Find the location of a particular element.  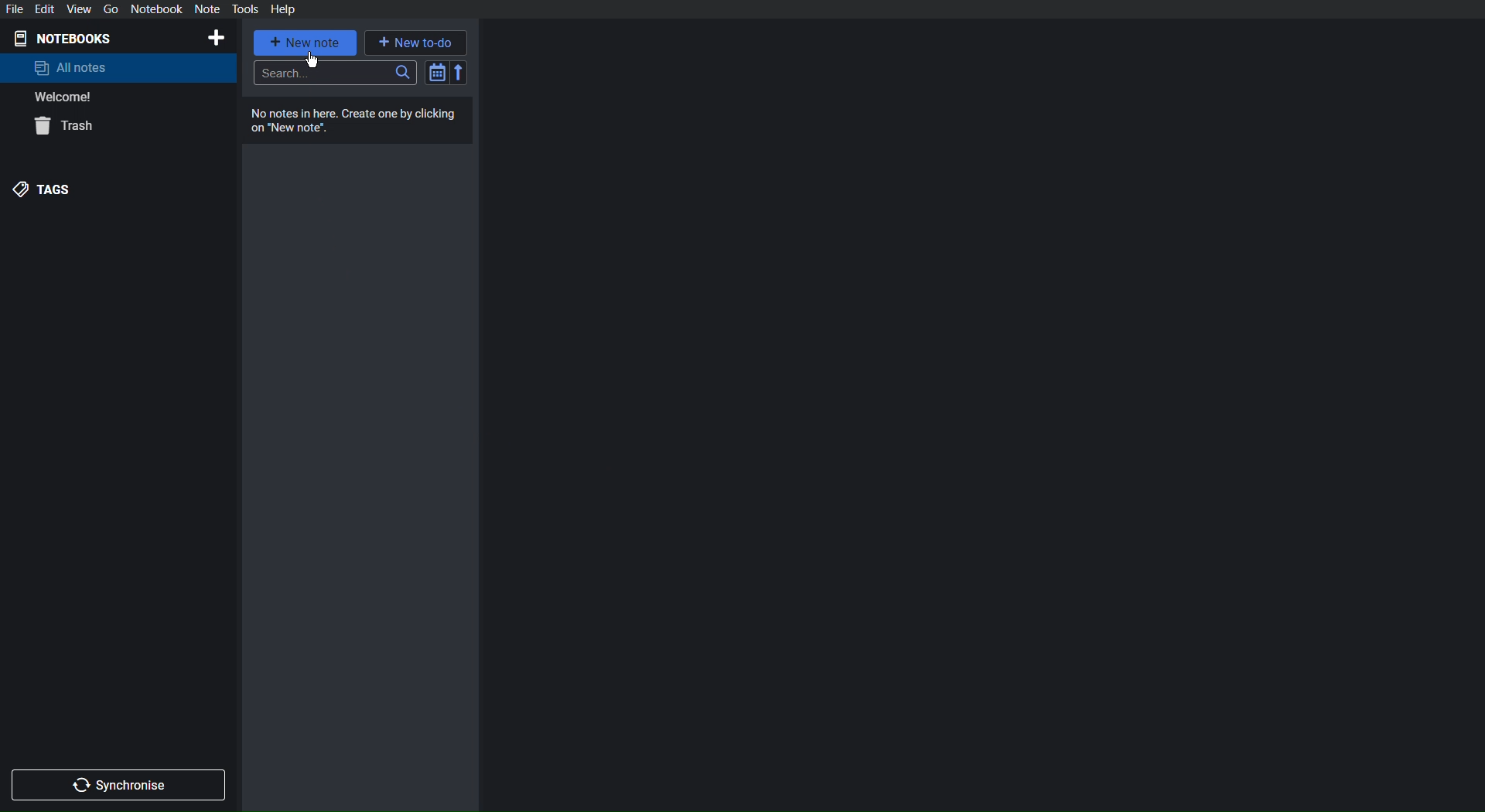

Tags is located at coordinates (46, 189).